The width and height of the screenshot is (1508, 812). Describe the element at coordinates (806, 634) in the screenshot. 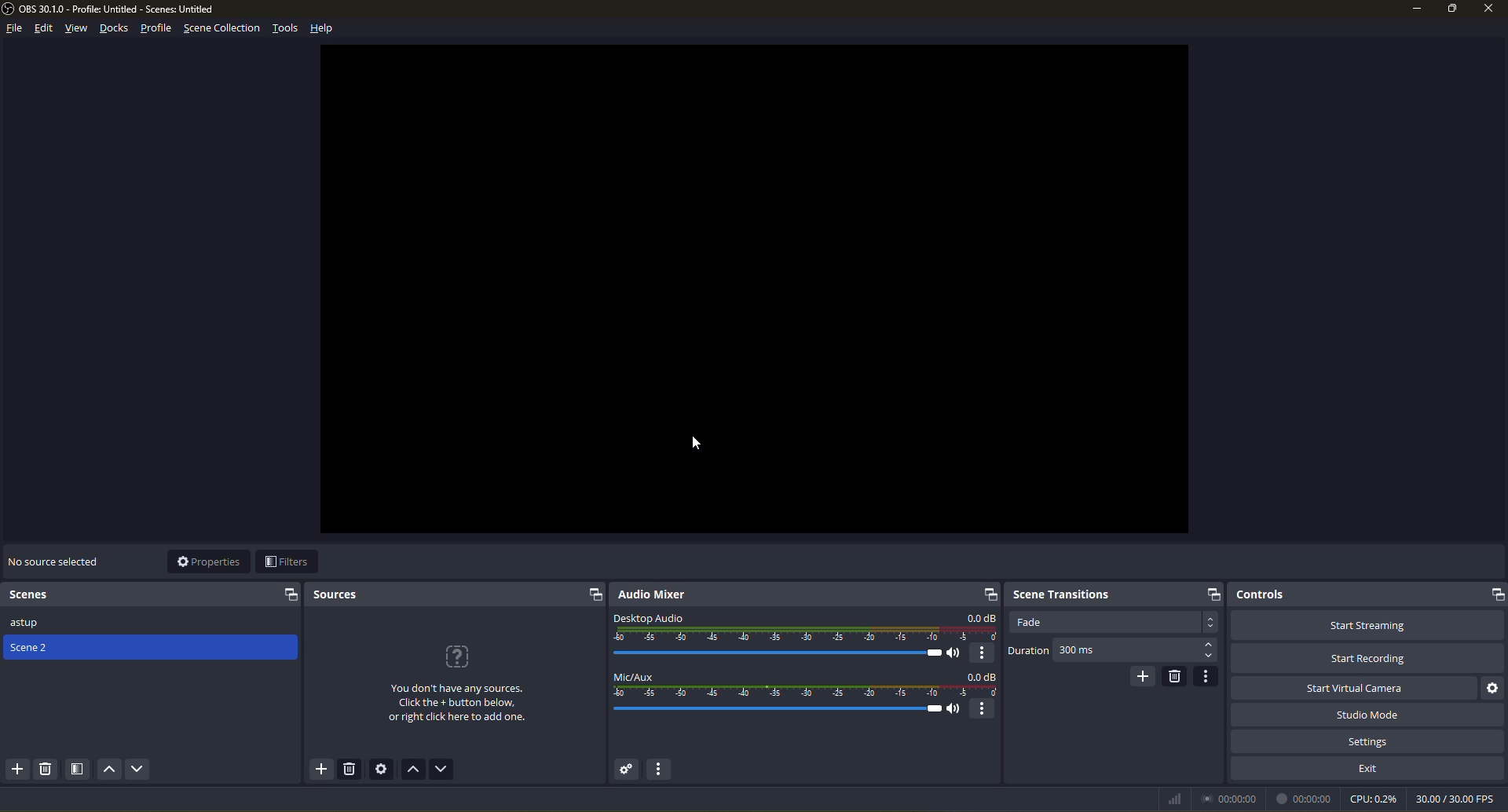

I see `audio level` at that location.